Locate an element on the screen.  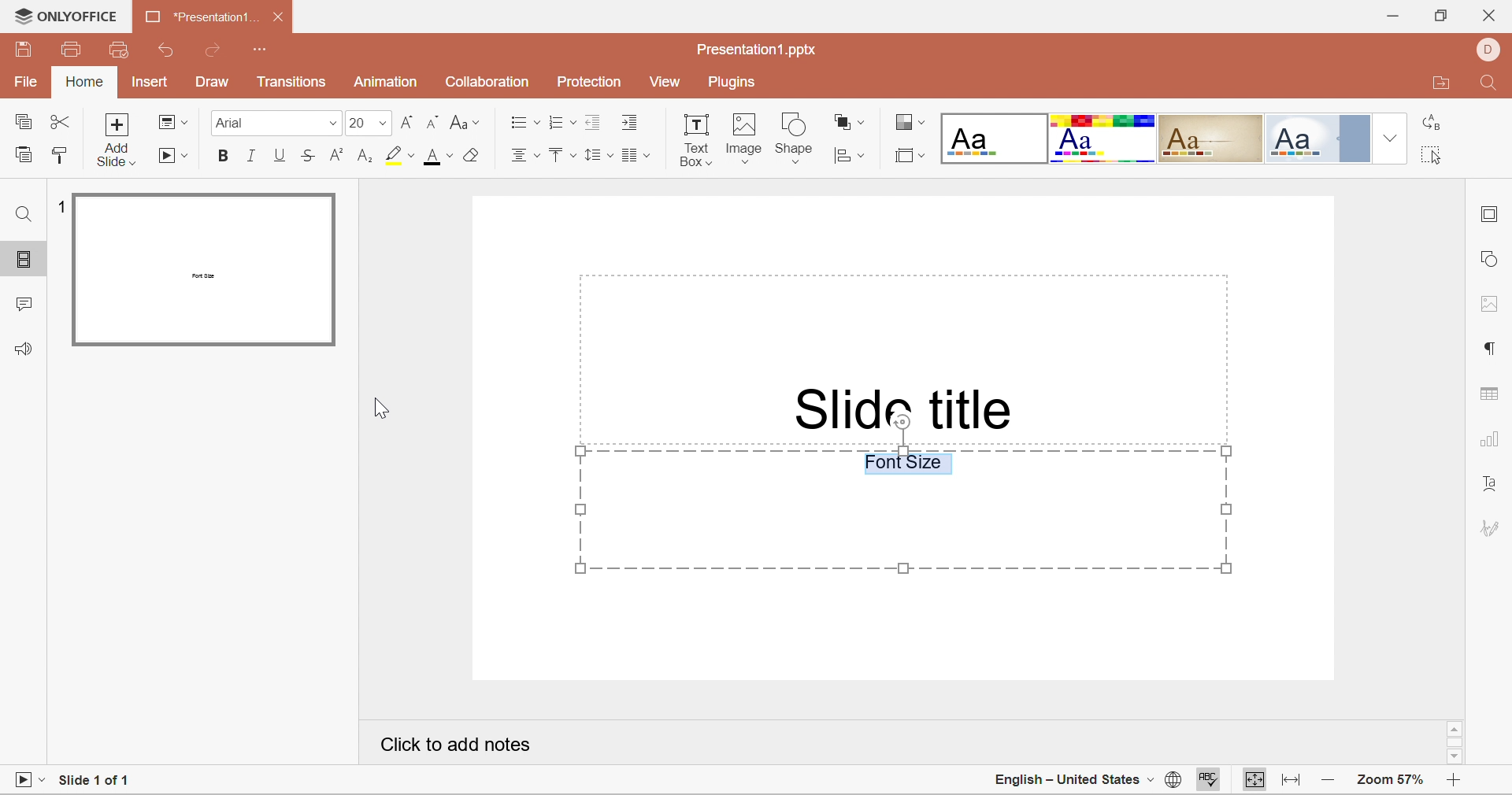
Line spacing is located at coordinates (596, 157).